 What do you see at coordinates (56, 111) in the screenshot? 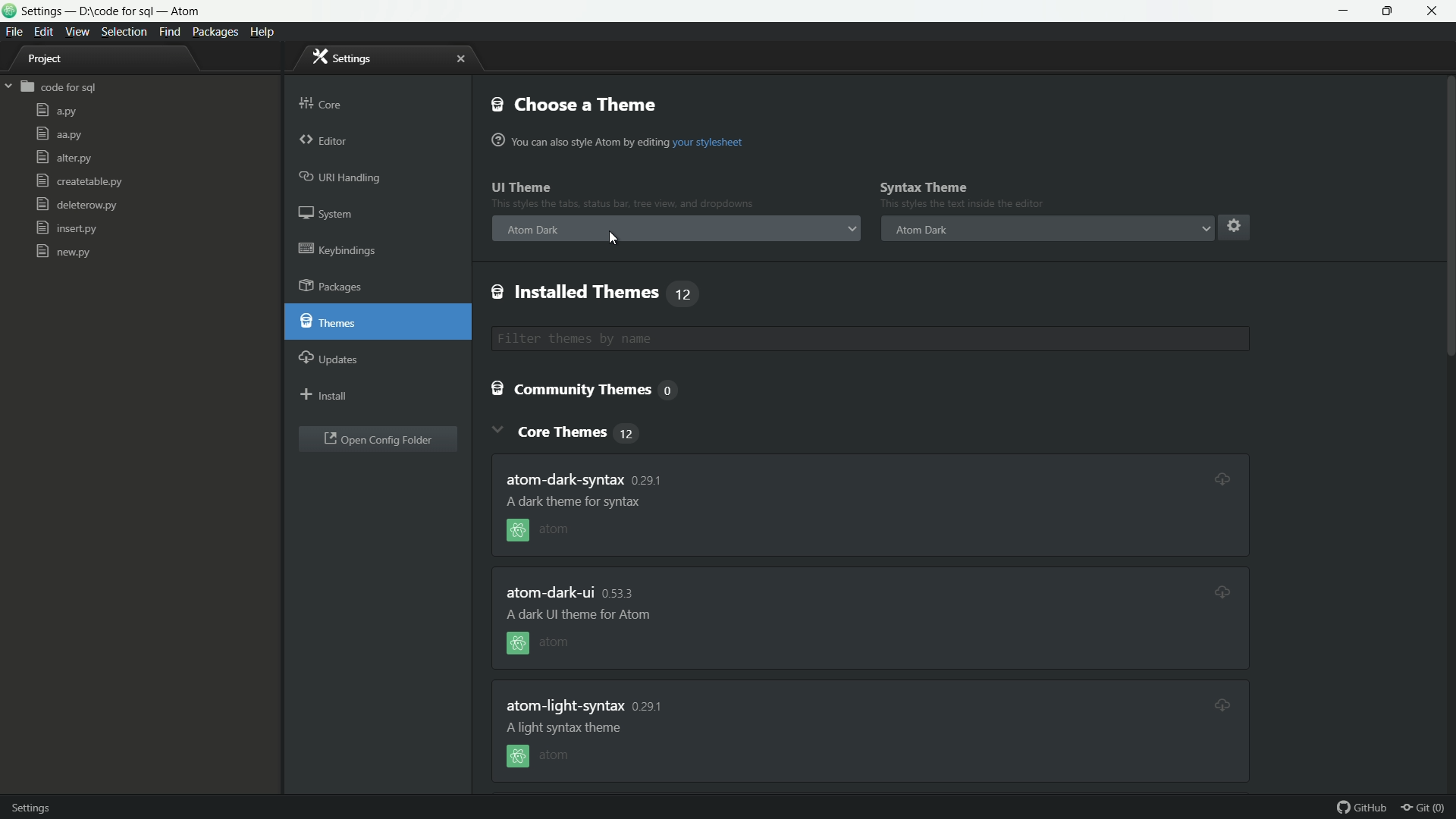
I see `a.py file` at bounding box center [56, 111].